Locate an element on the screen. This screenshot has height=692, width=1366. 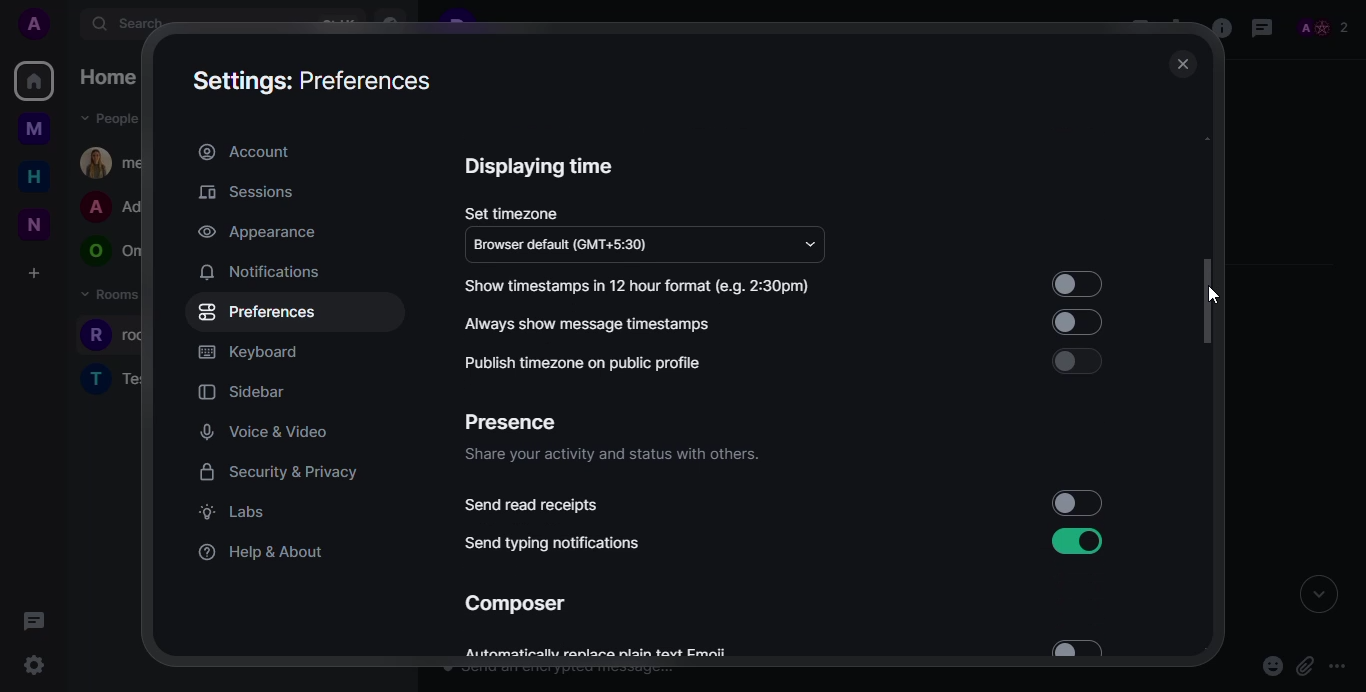
send read receipts is located at coordinates (533, 506).